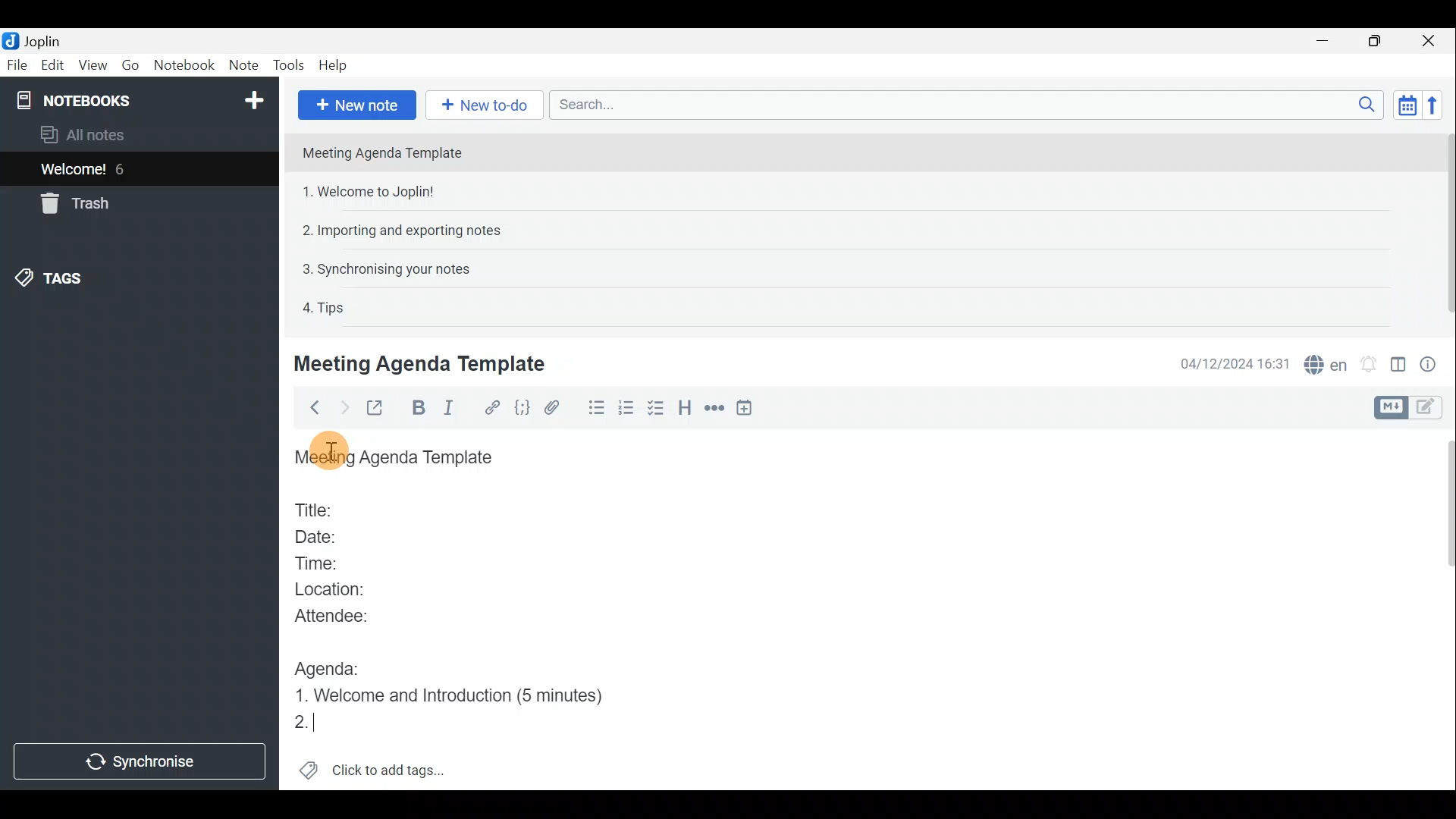  I want to click on New to-do, so click(481, 105).